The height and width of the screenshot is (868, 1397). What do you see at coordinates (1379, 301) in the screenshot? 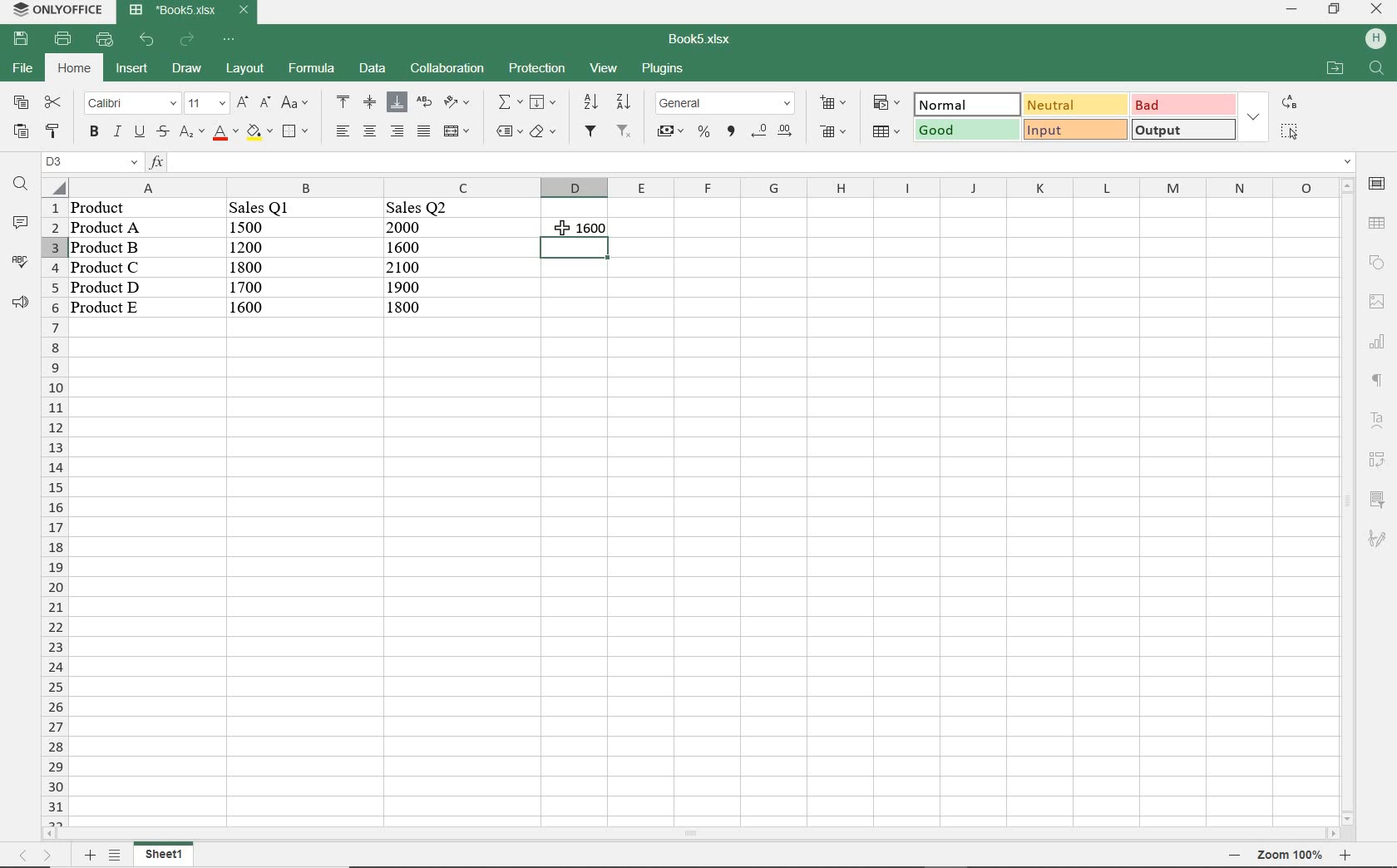
I see `image` at bounding box center [1379, 301].